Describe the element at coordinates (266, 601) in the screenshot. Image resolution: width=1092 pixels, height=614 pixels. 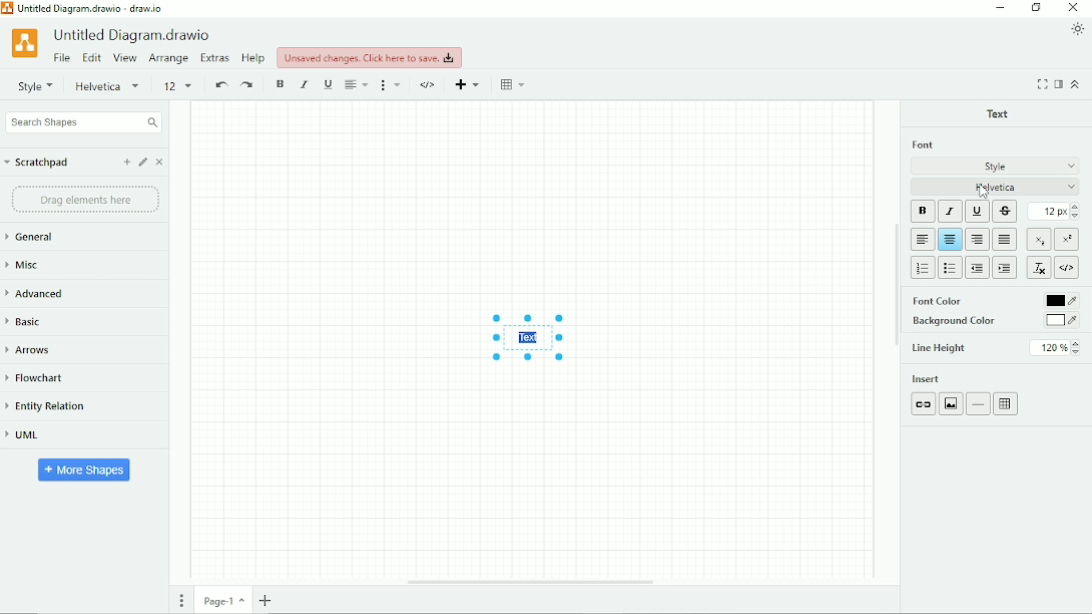
I see `Insert page` at that location.